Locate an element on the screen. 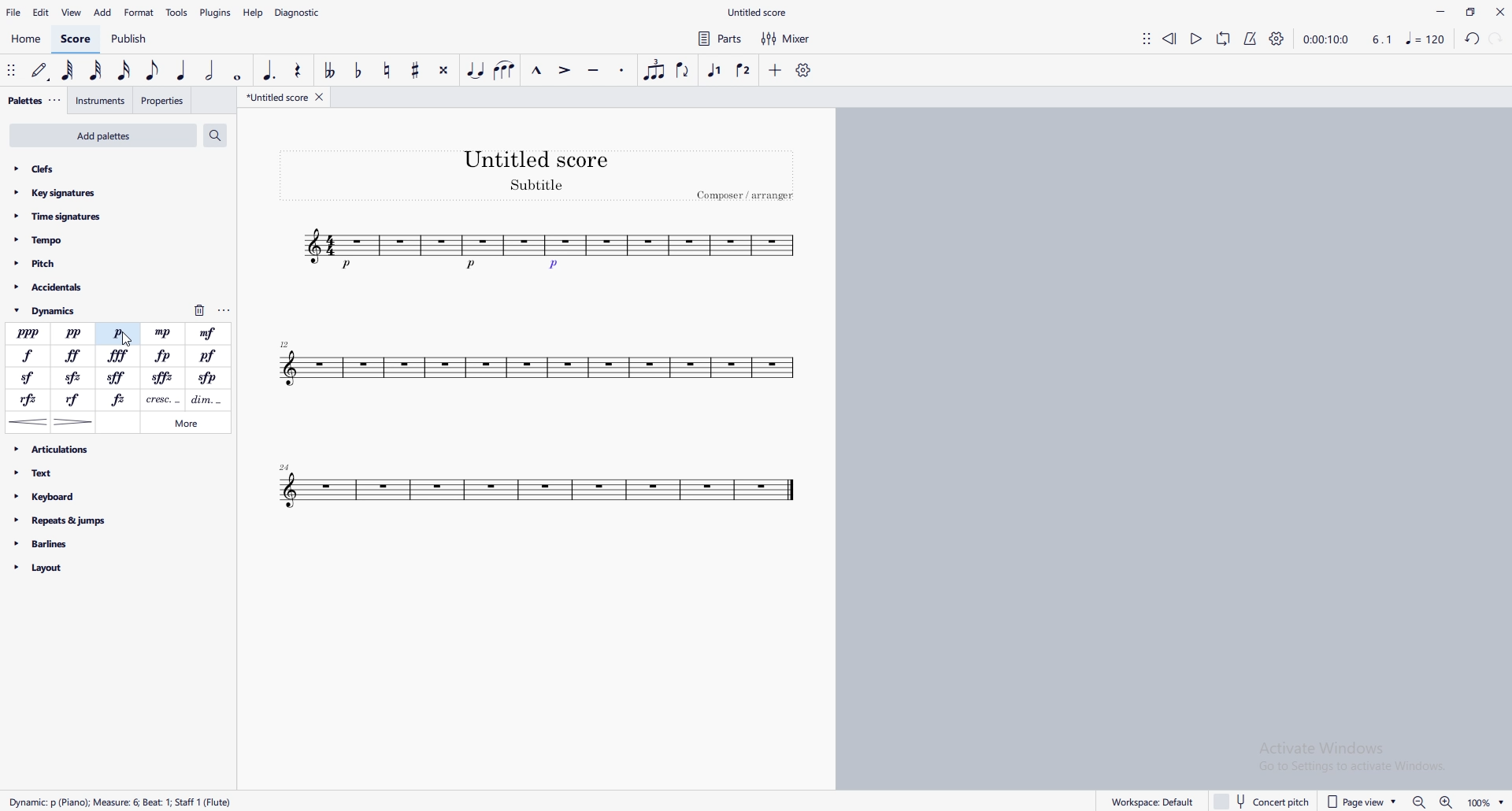 This screenshot has height=811, width=1512. file is located at coordinates (14, 13).